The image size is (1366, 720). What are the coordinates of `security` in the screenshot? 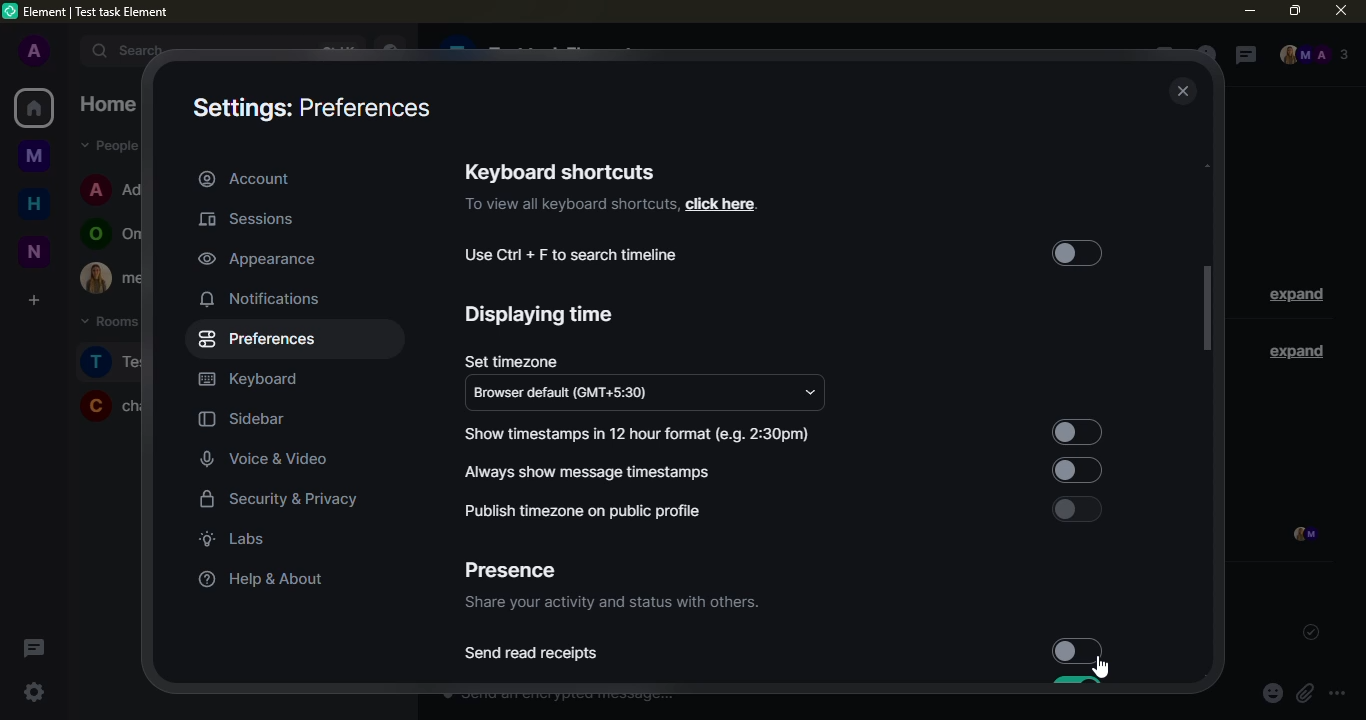 It's located at (280, 501).